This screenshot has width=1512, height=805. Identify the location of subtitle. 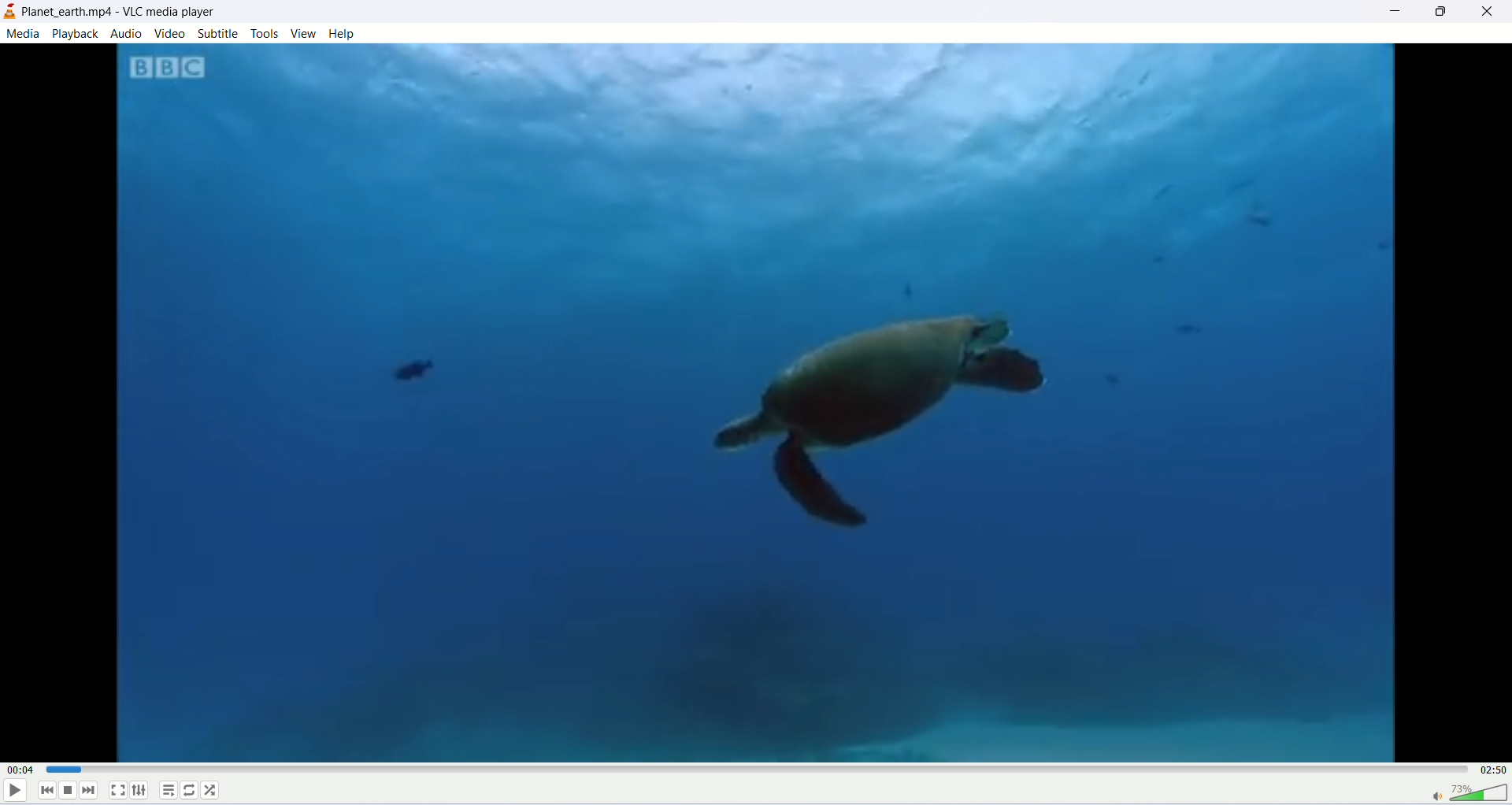
(219, 32).